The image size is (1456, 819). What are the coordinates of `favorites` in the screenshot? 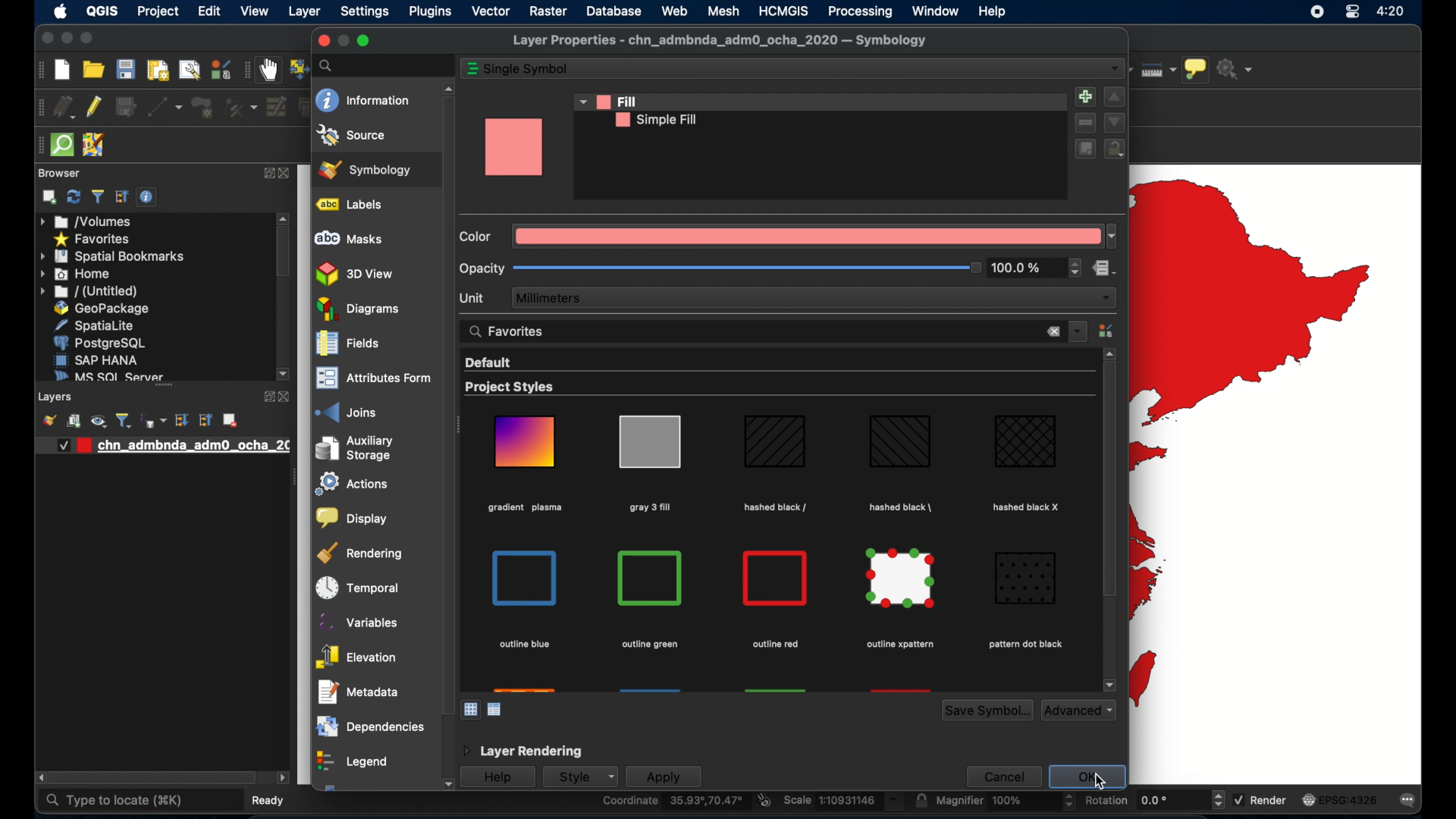 It's located at (91, 240).